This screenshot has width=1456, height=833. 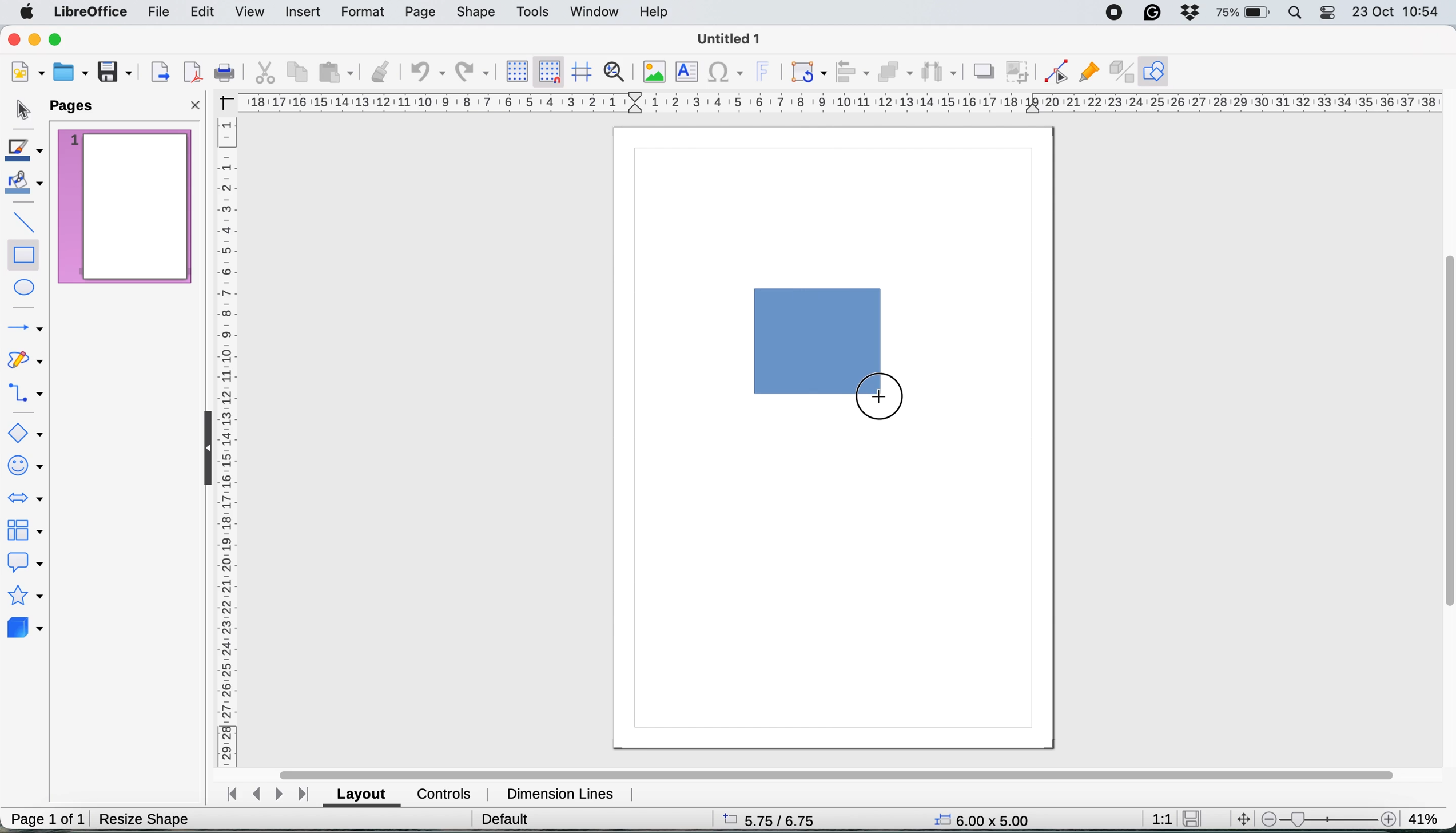 I want to click on curves and polygons, so click(x=27, y=363).